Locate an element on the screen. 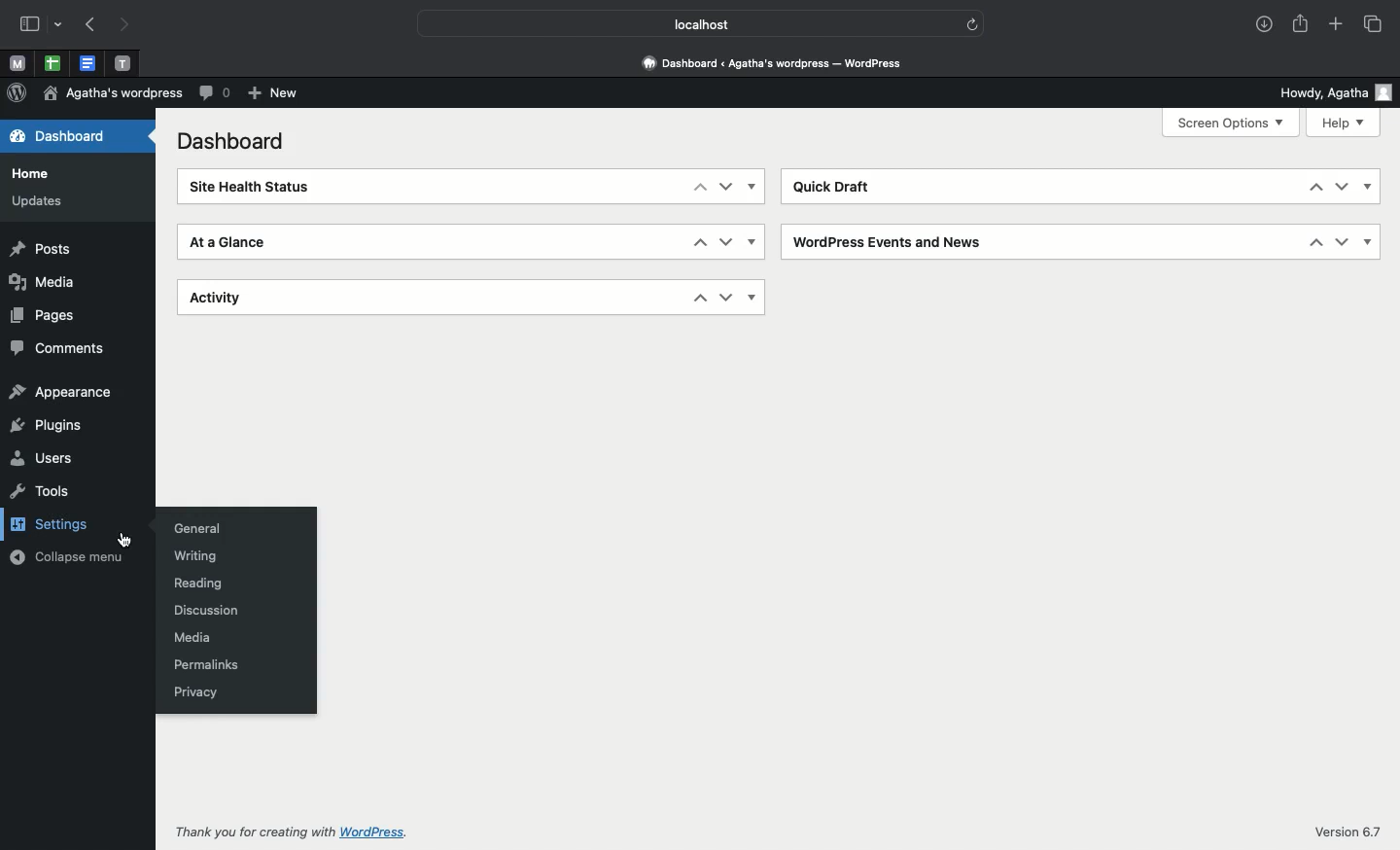  Up is located at coordinates (699, 188).